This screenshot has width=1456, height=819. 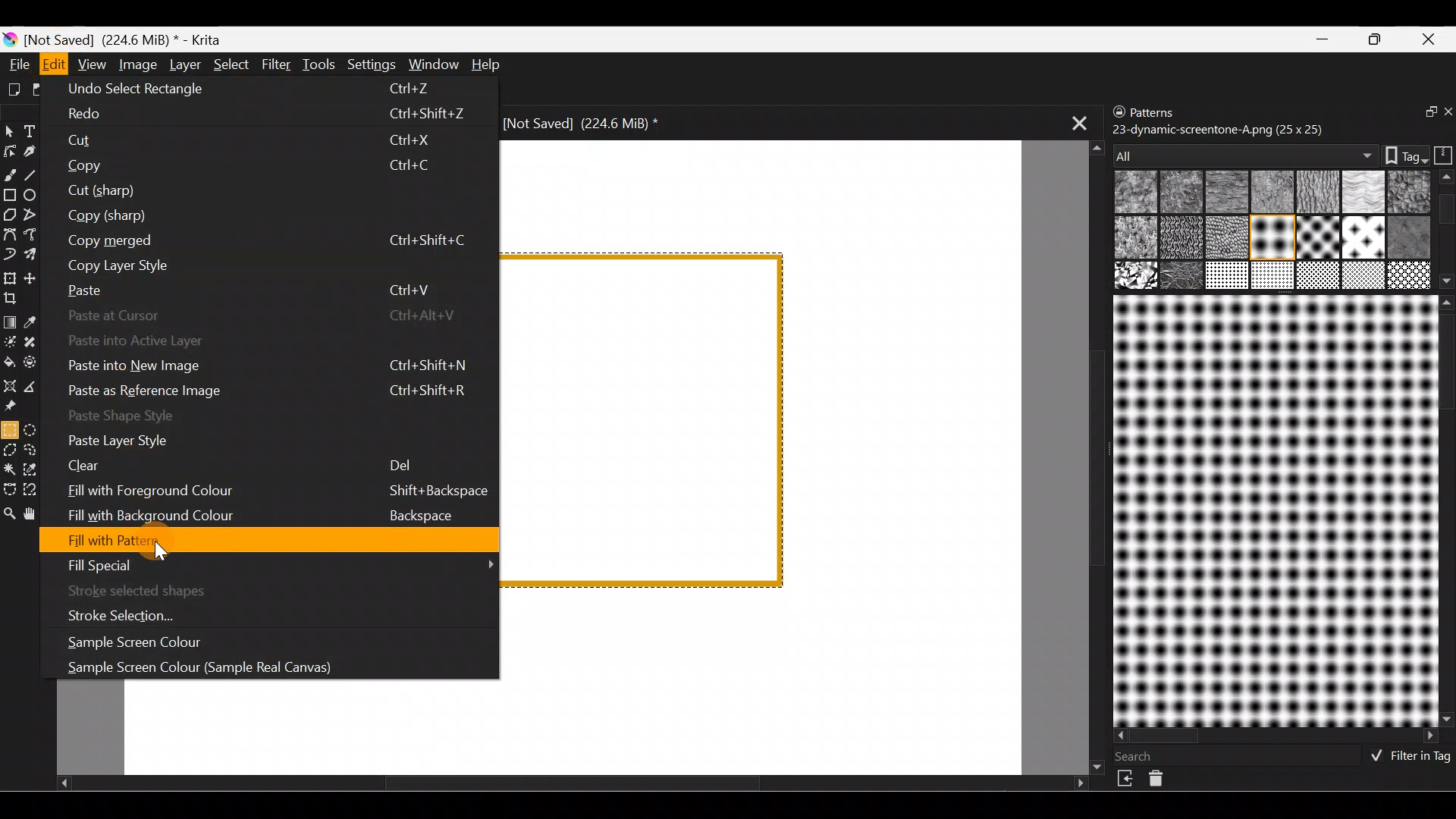 What do you see at coordinates (272, 243) in the screenshot?
I see `Copy merged` at bounding box center [272, 243].